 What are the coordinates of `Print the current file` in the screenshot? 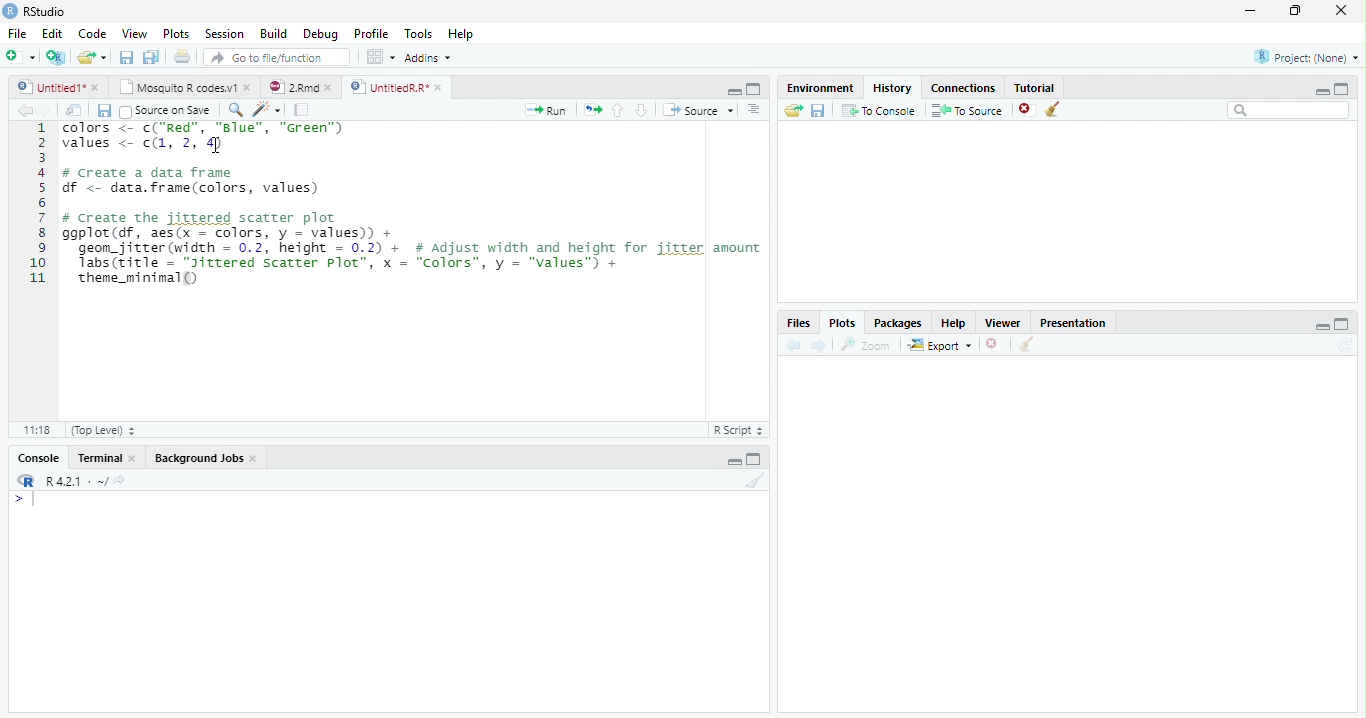 It's located at (183, 56).